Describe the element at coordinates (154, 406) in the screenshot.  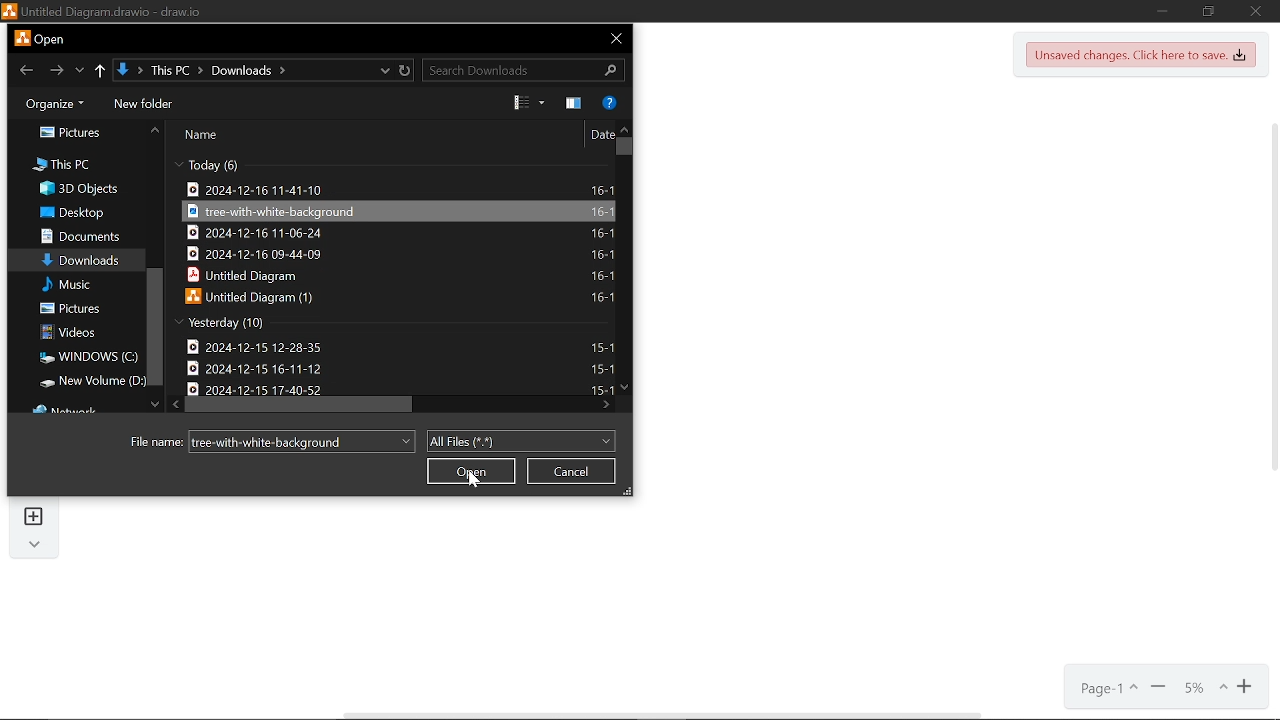
I see `Move down in folders` at that location.